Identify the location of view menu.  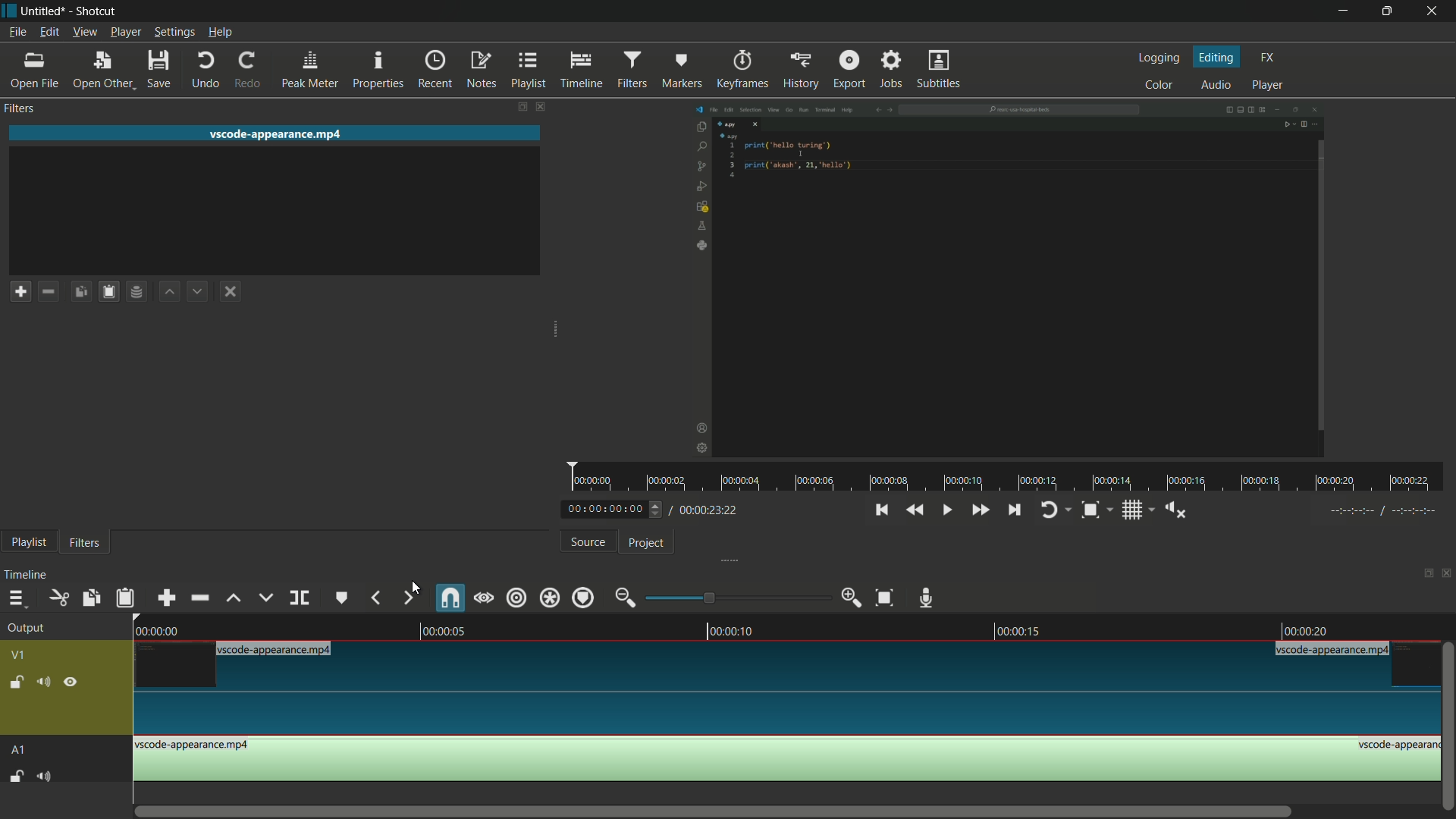
(83, 33).